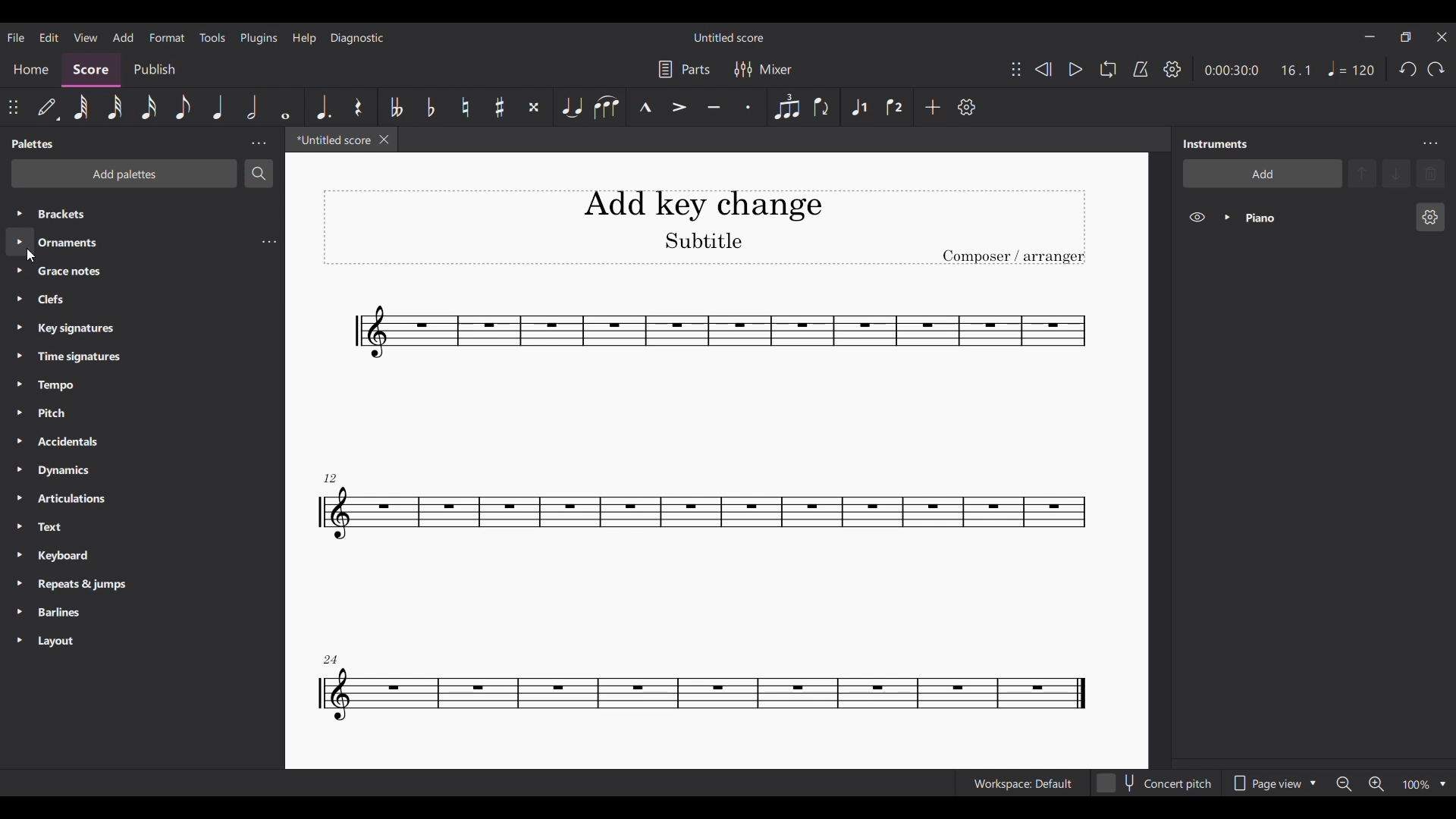 This screenshot has height=819, width=1456. What do you see at coordinates (763, 70) in the screenshot?
I see `Mixer settings` at bounding box center [763, 70].